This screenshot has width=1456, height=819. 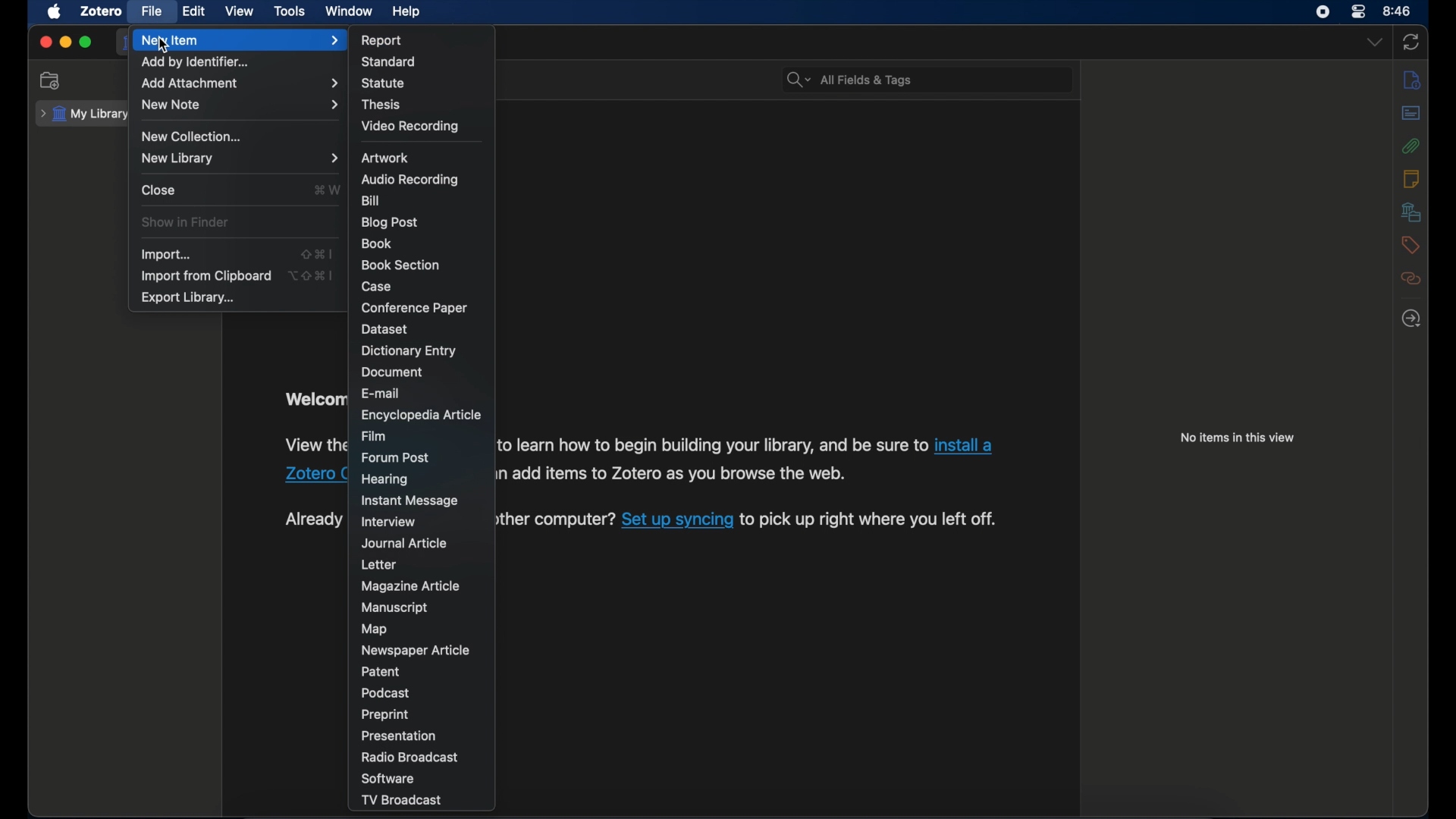 What do you see at coordinates (391, 522) in the screenshot?
I see `interview` at bounding box center [391, 522].